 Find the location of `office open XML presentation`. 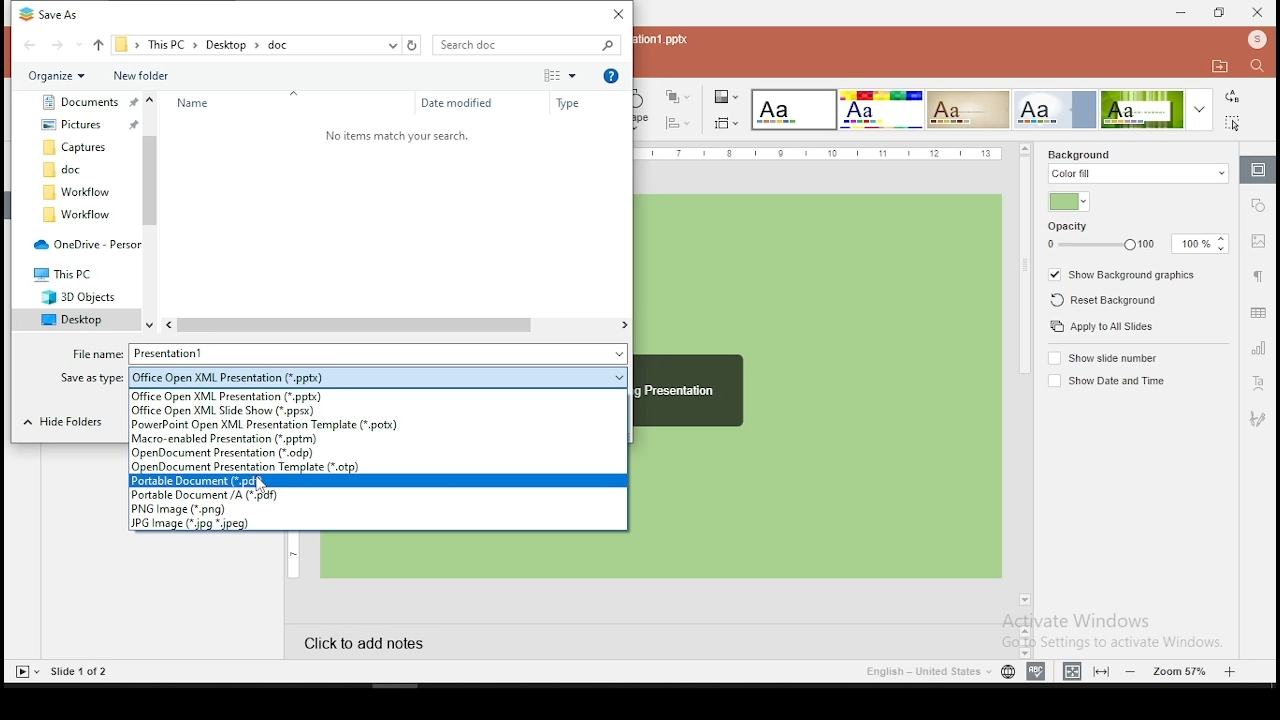

office open XML presentation is located at coordinates (375, 397).